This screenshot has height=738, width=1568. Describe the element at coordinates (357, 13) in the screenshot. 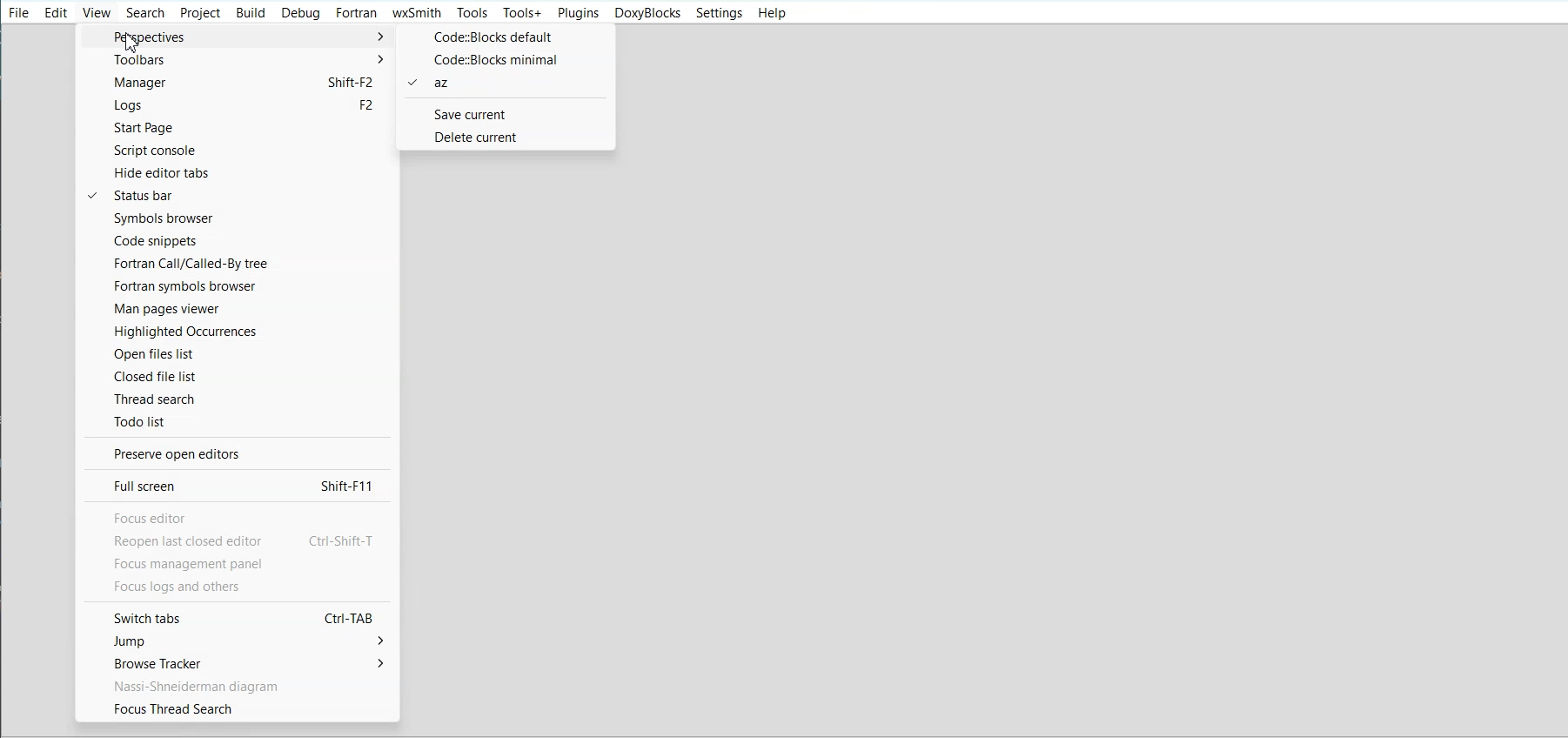

I see `Fortran` at that location.